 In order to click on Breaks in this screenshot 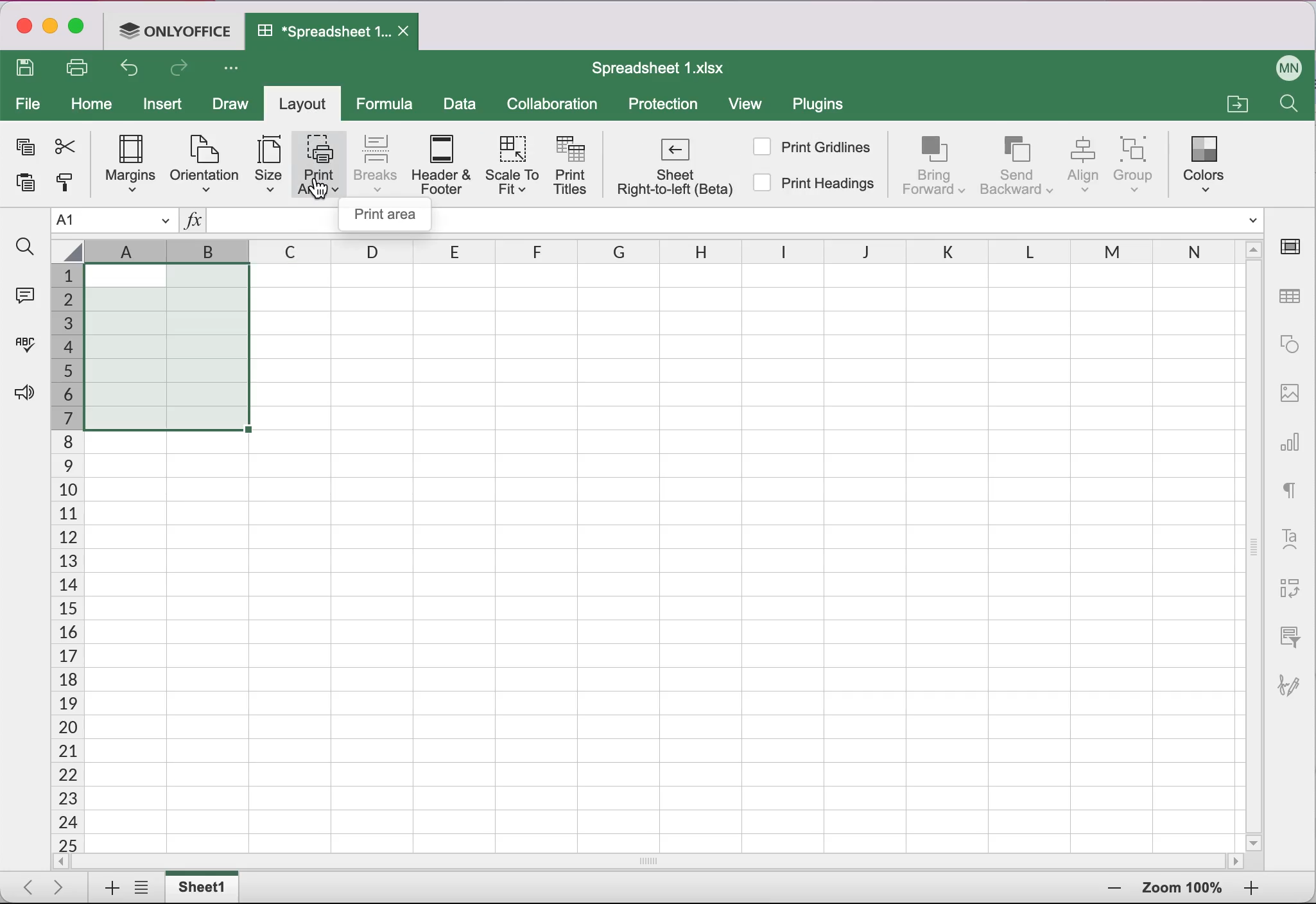, I will do `click(375, 163)`.